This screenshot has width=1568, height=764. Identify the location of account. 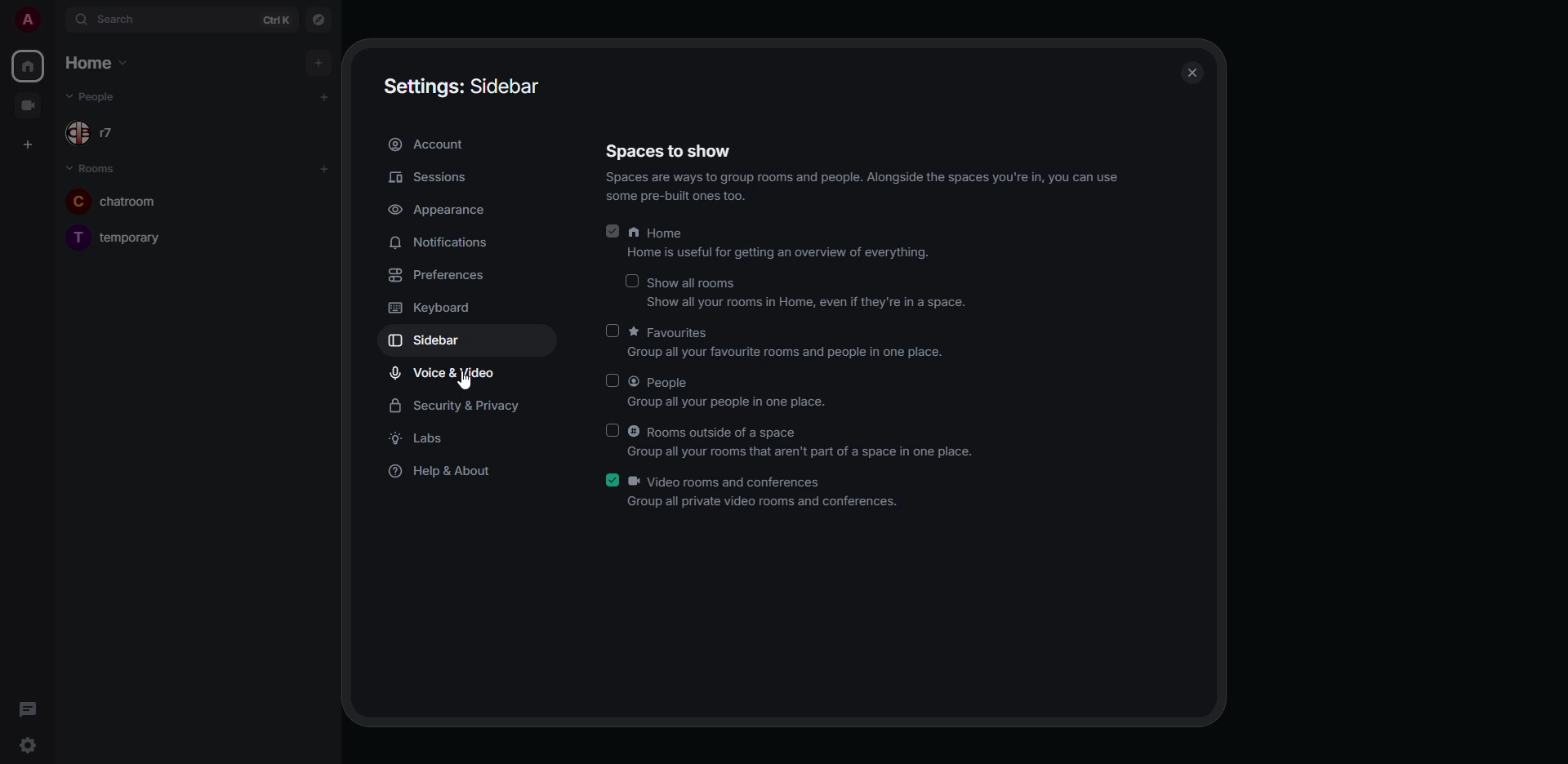
(427, 145).